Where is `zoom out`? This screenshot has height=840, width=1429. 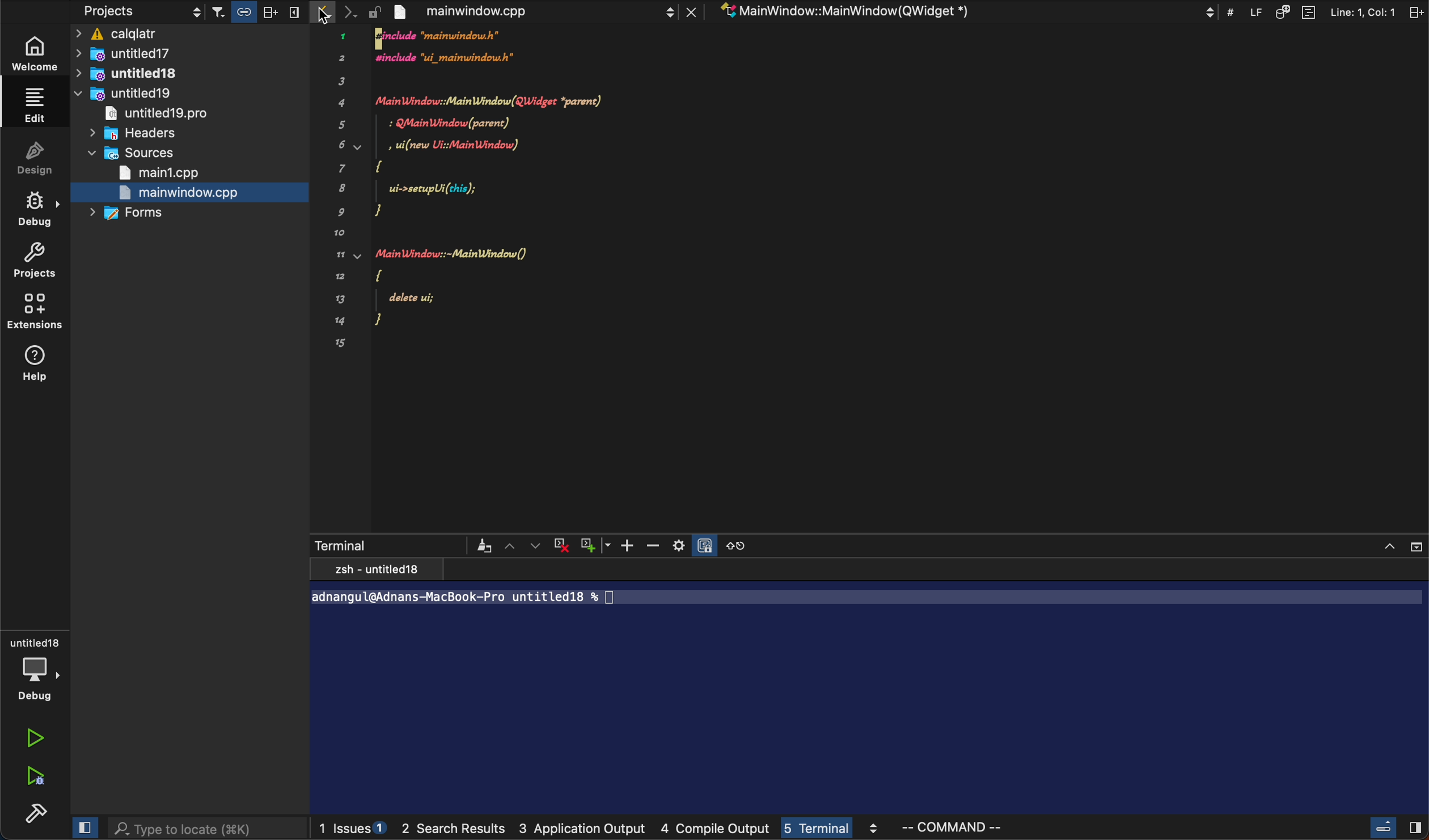 zoom out is located at coordinates (658, 546).